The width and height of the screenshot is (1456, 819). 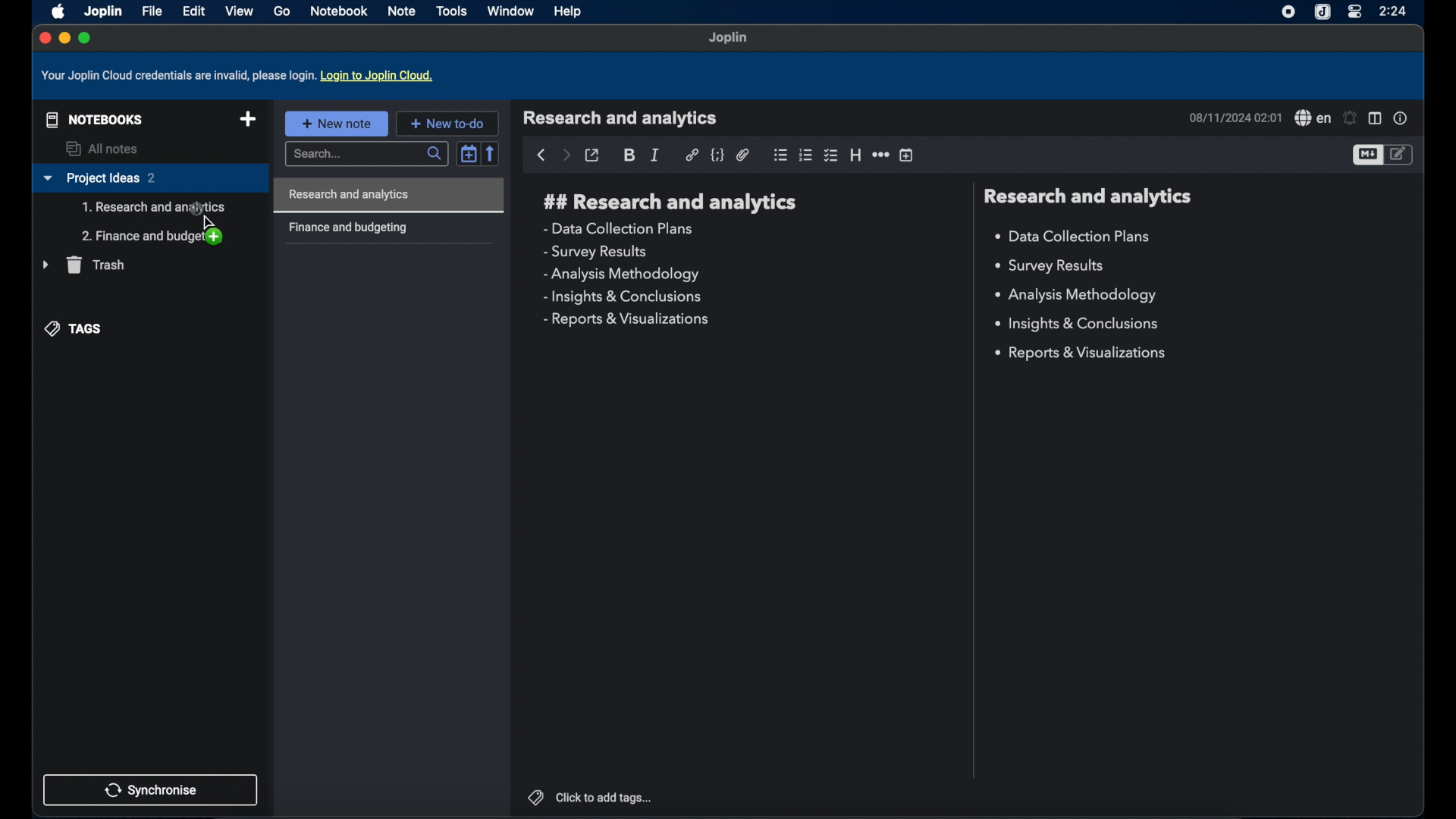 I want to click on finance and budgeting, so click(x=347, y=228).